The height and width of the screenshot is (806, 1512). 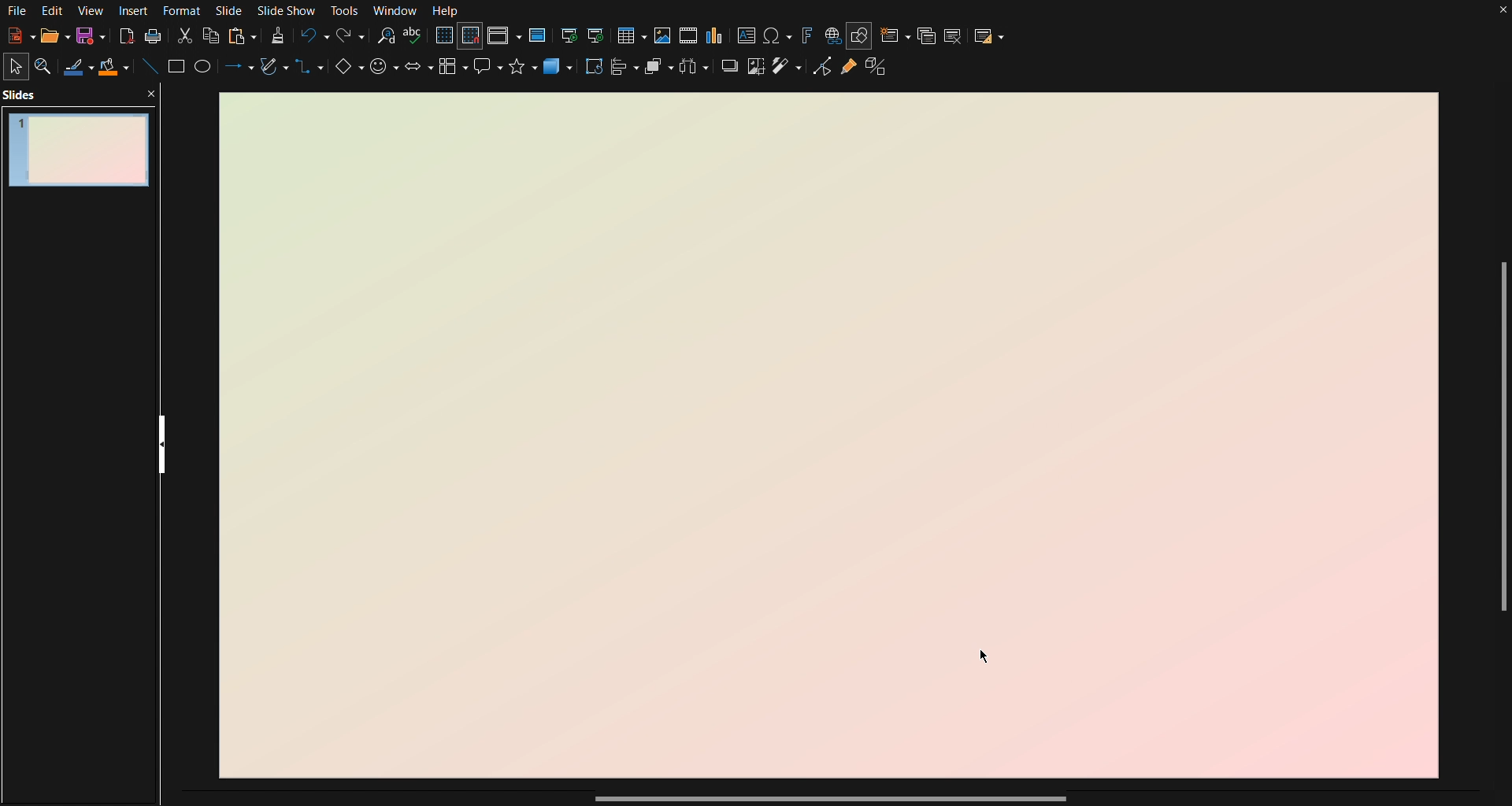 I want to click on Slide Layout, so click(x=991, y=34).